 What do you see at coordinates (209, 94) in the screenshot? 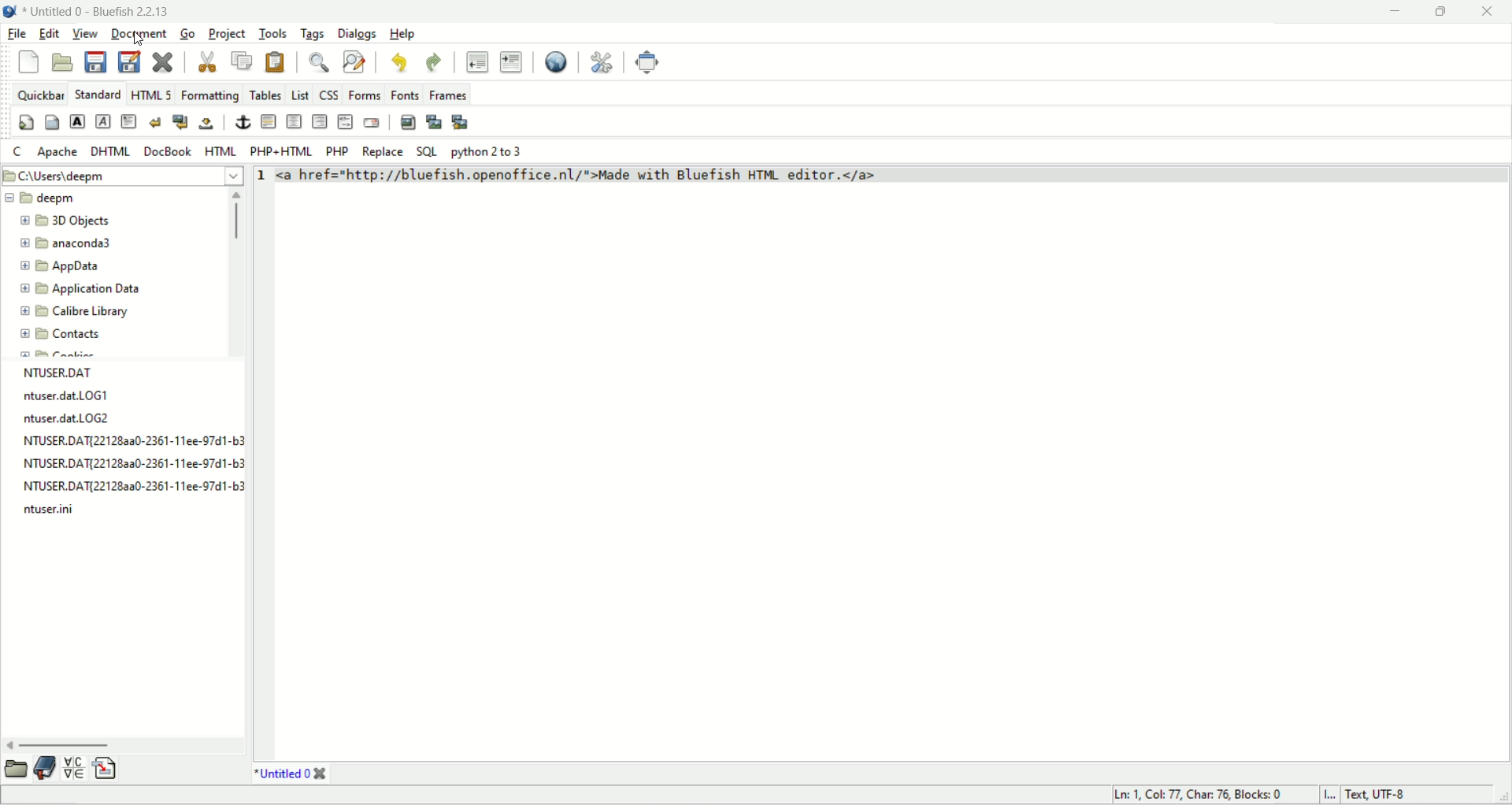
I see `formatting` at bounding box center [209, 94].